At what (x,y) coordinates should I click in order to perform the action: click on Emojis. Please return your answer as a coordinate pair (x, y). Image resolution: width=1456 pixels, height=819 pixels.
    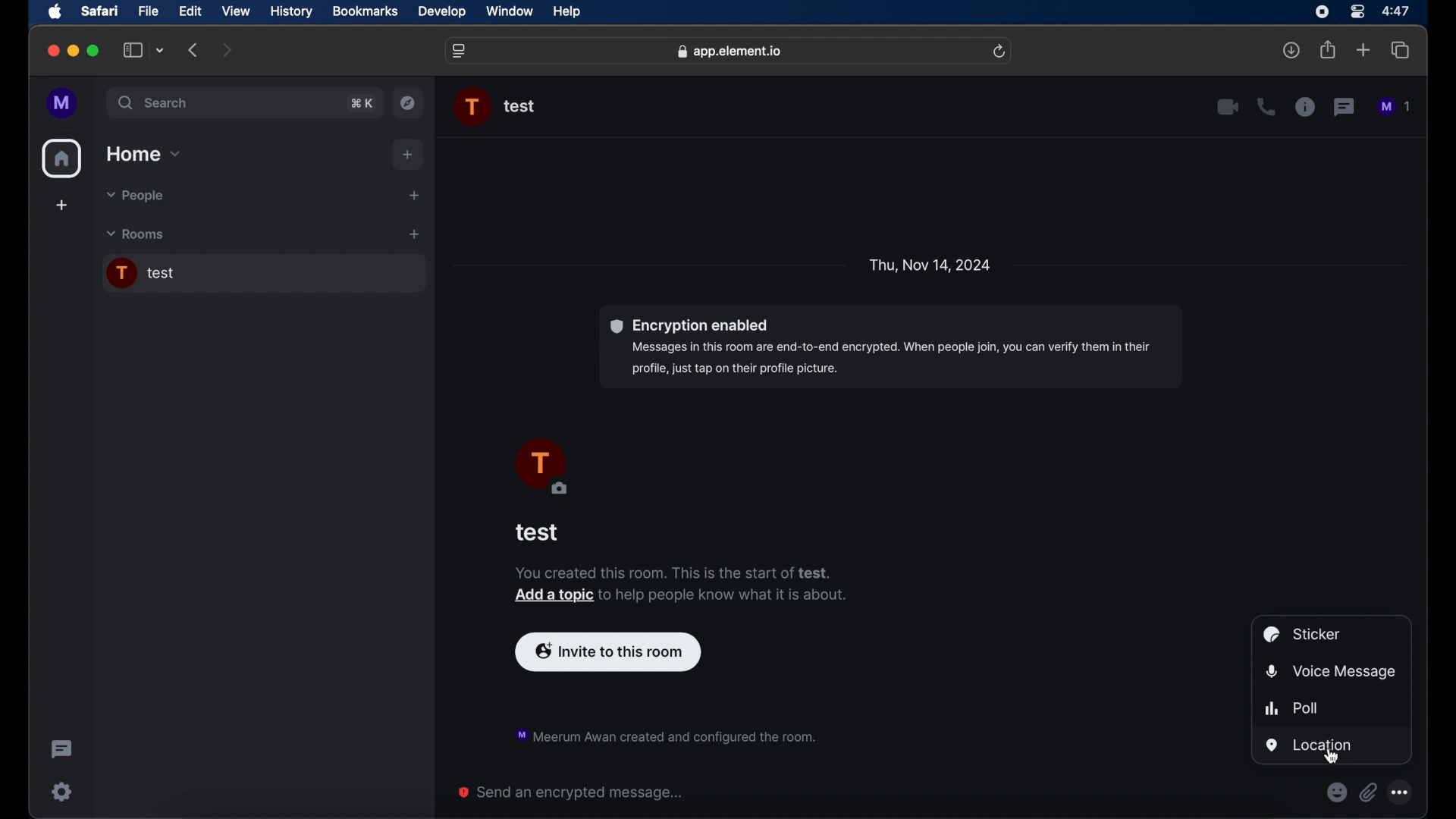
    Looking at the image, I should click on (1336, 792).